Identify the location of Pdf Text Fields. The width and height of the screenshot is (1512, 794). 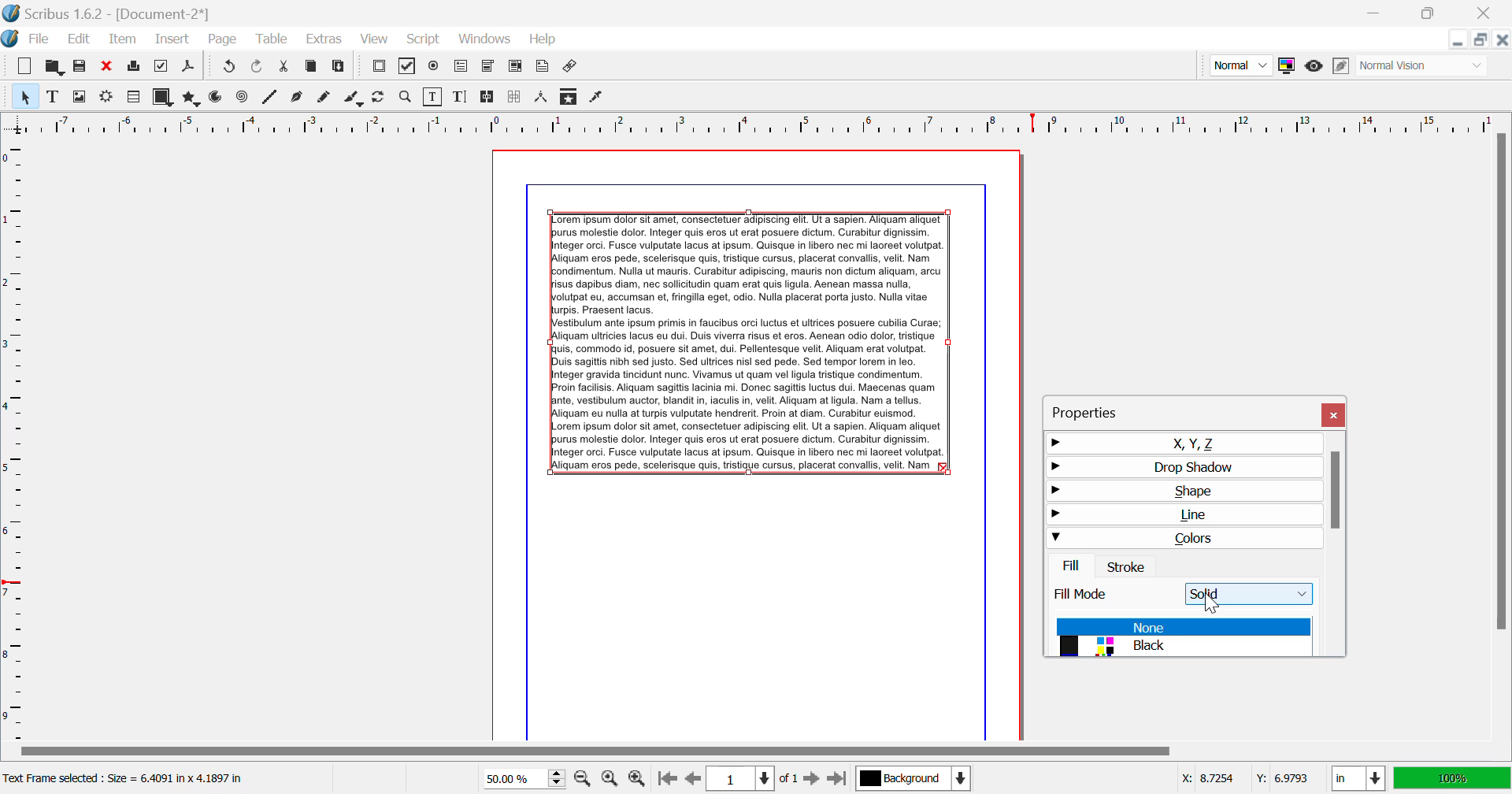
(461, 67).